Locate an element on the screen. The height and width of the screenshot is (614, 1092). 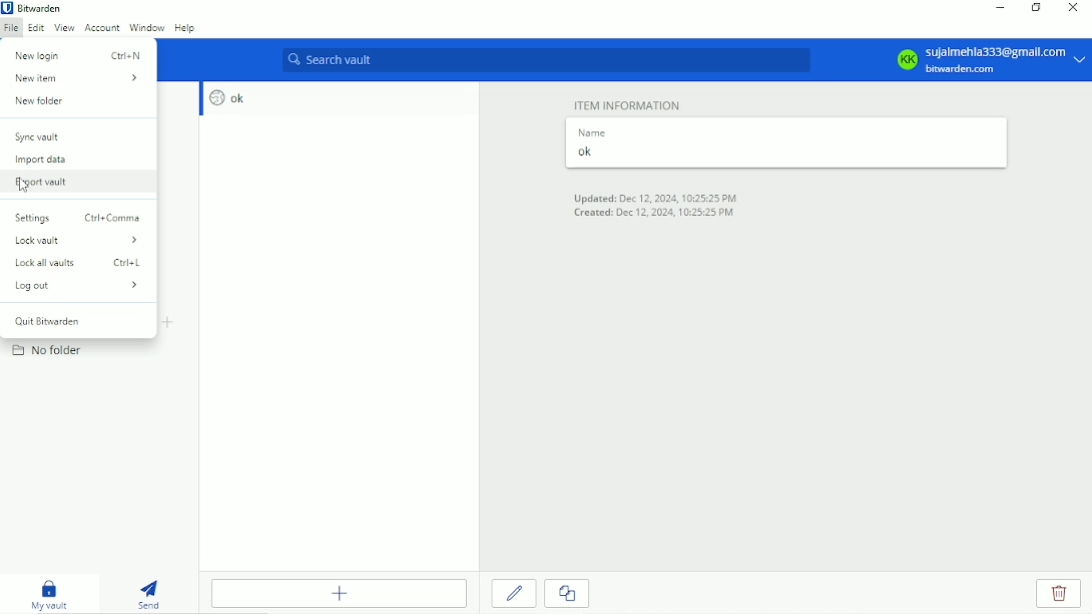
Import data is located at coordinates (42, 160).